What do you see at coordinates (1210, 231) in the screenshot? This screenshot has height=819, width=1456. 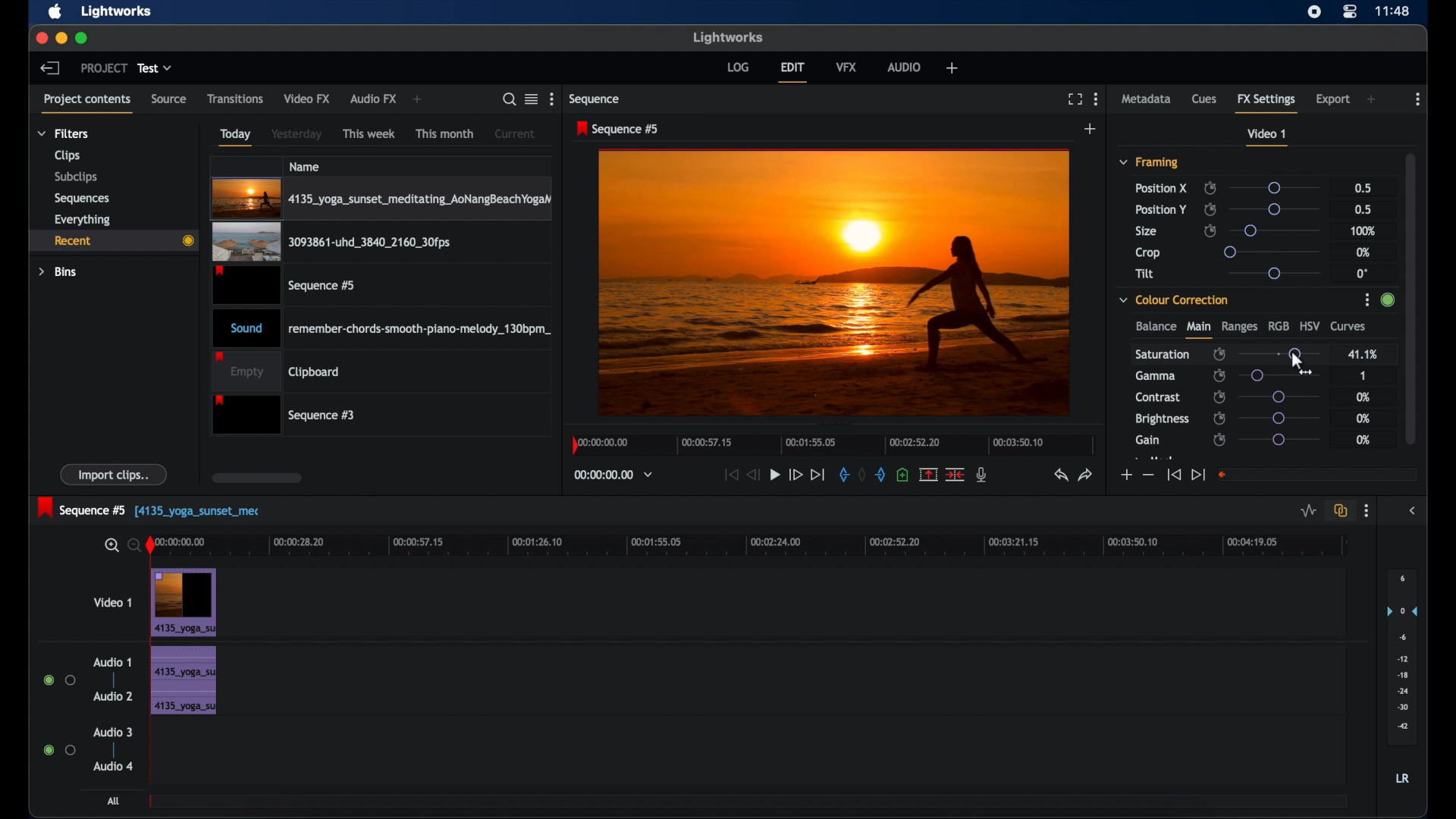 I see `enable/disable keyframes` at bounding box center [1210, 231].